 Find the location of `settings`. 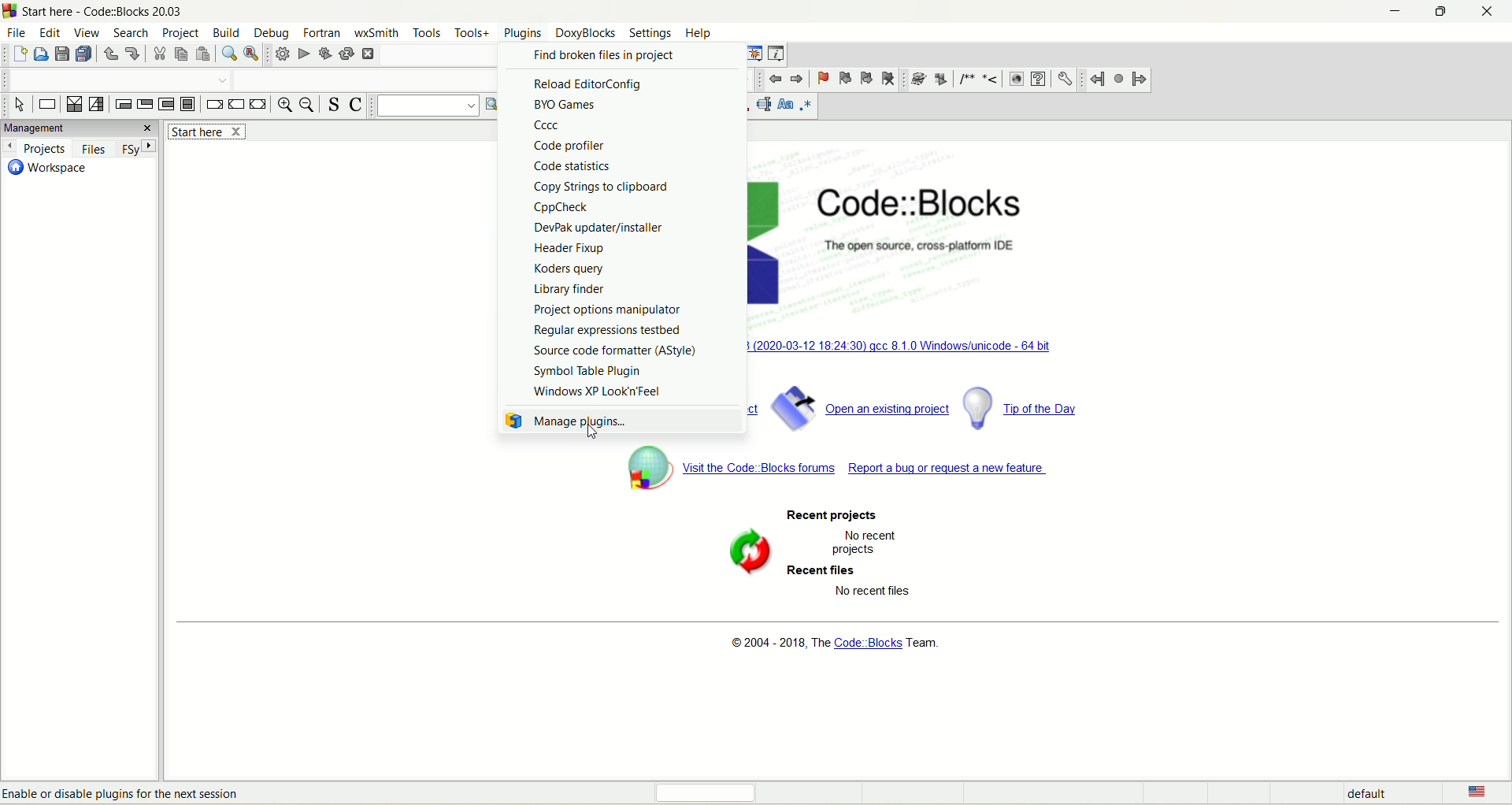

settings is located at coordinates (650, 32).